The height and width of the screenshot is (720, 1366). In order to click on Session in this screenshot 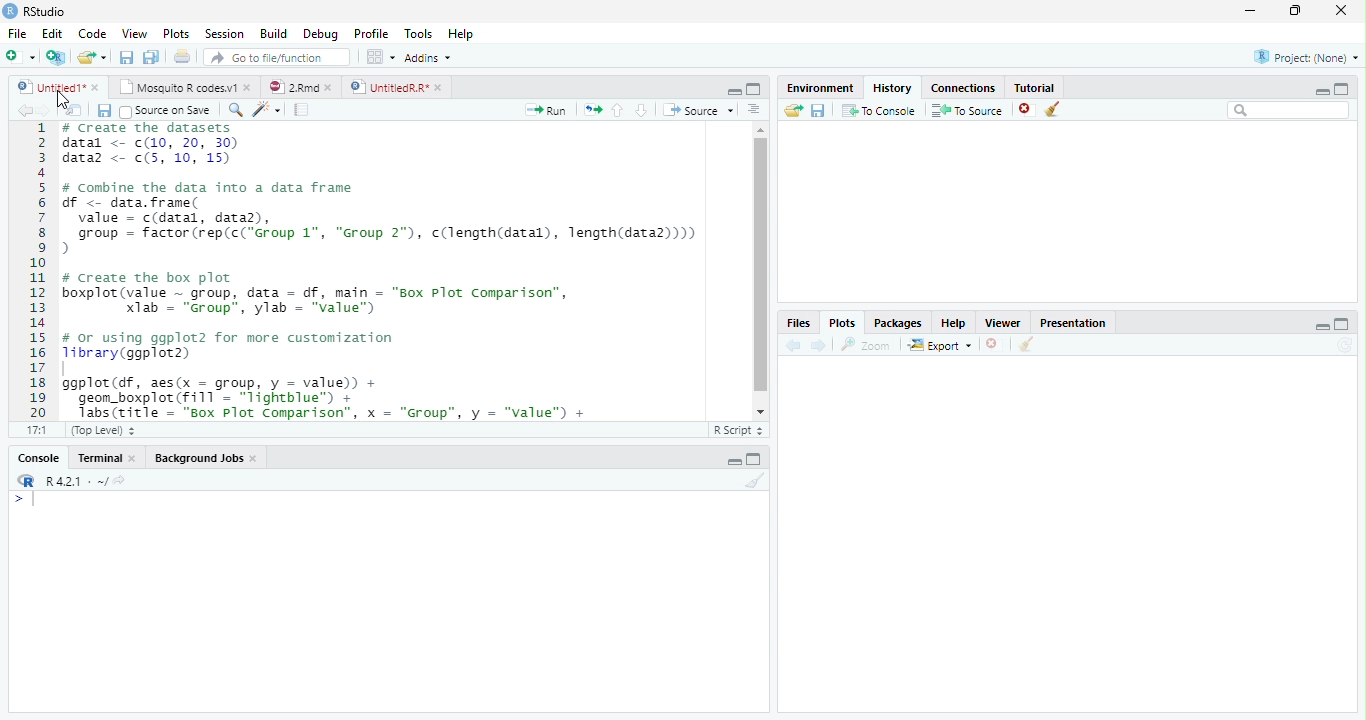, I will do `click(222, 33)`.